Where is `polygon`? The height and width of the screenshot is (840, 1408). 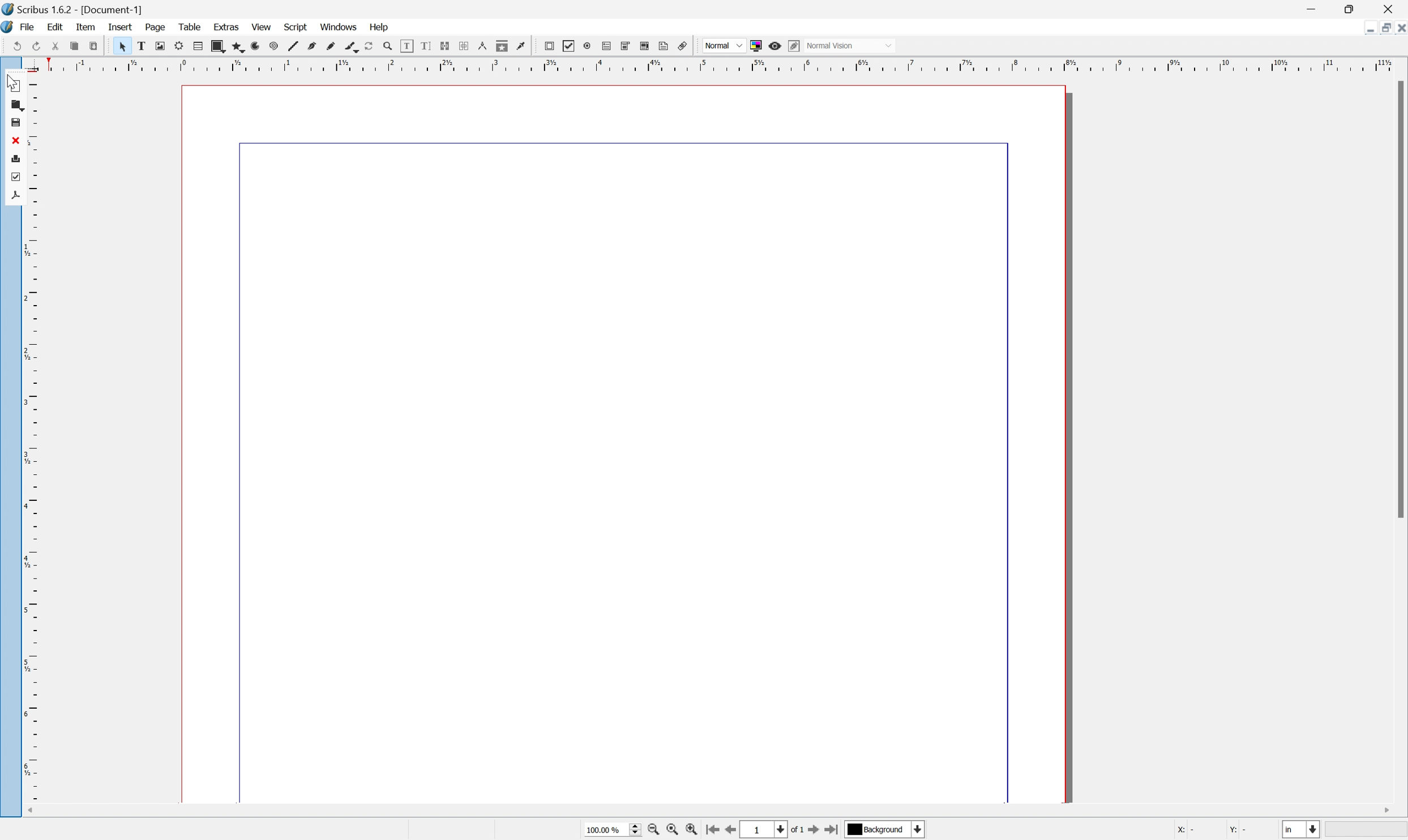
polygon is located at coordinates (367, 46).